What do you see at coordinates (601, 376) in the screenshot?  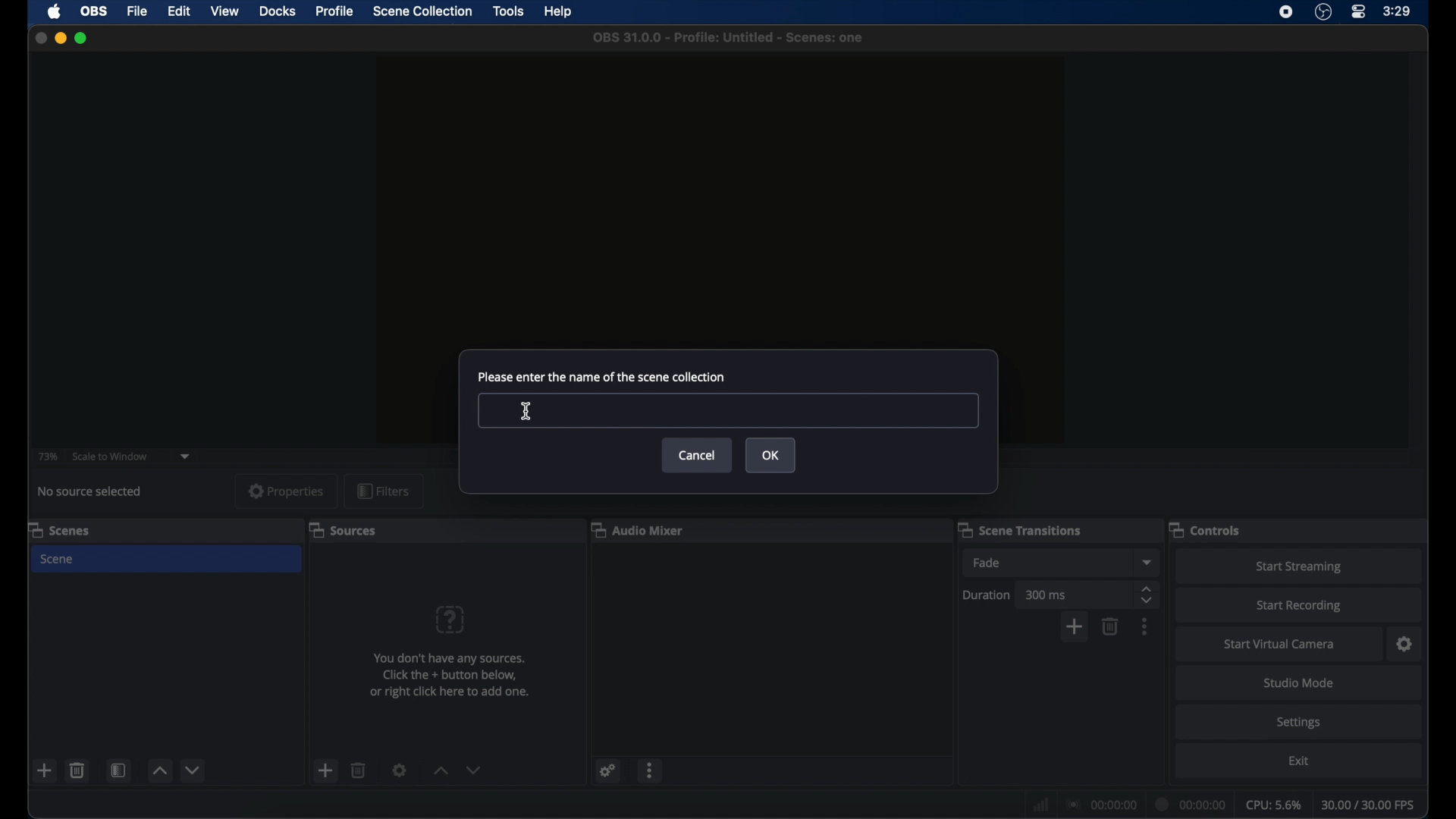 I see `please enter the name of the scene collection` at bounding box center [601, 376].